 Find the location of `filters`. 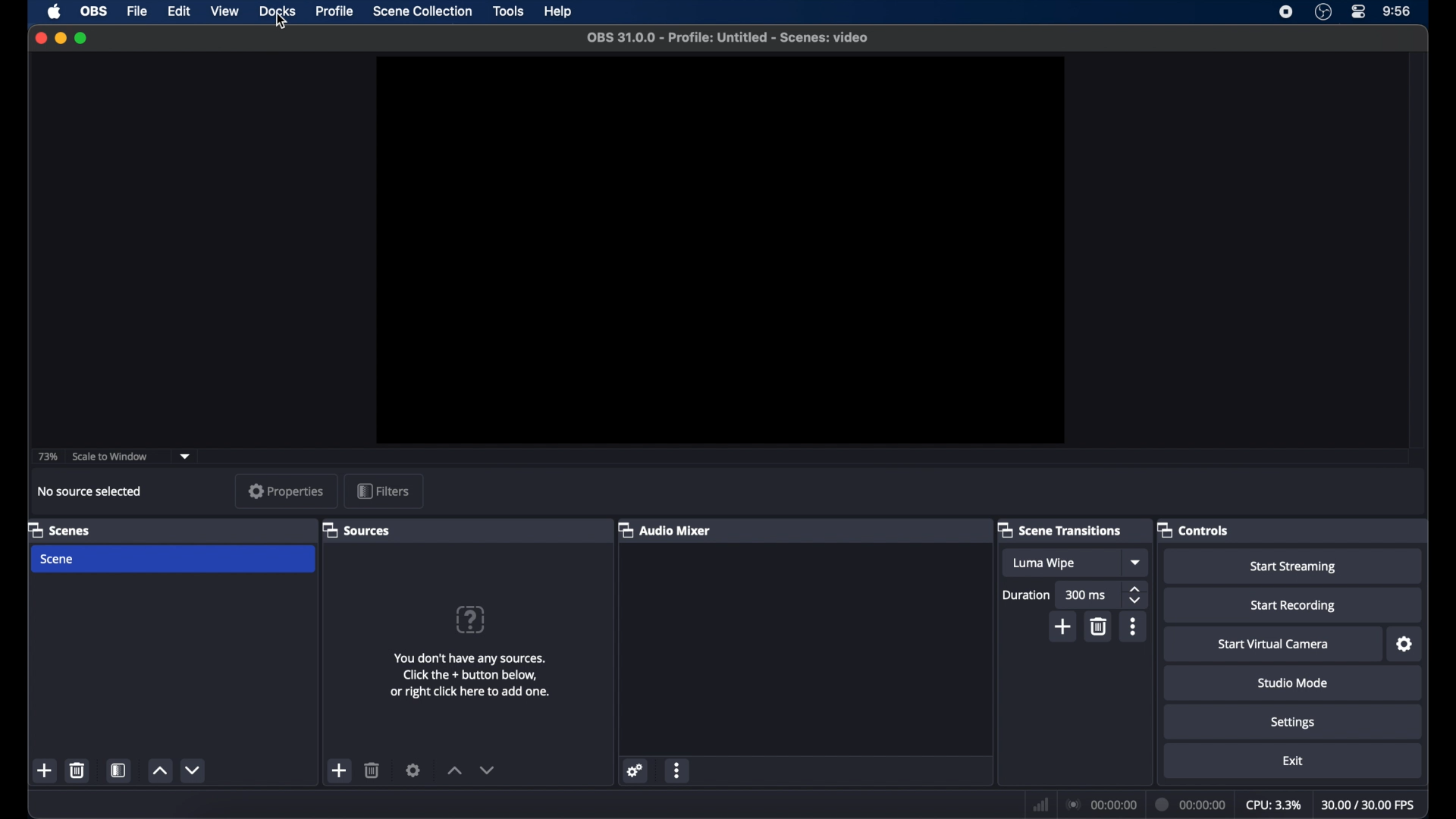

filters is located at coordinates (384, 491).